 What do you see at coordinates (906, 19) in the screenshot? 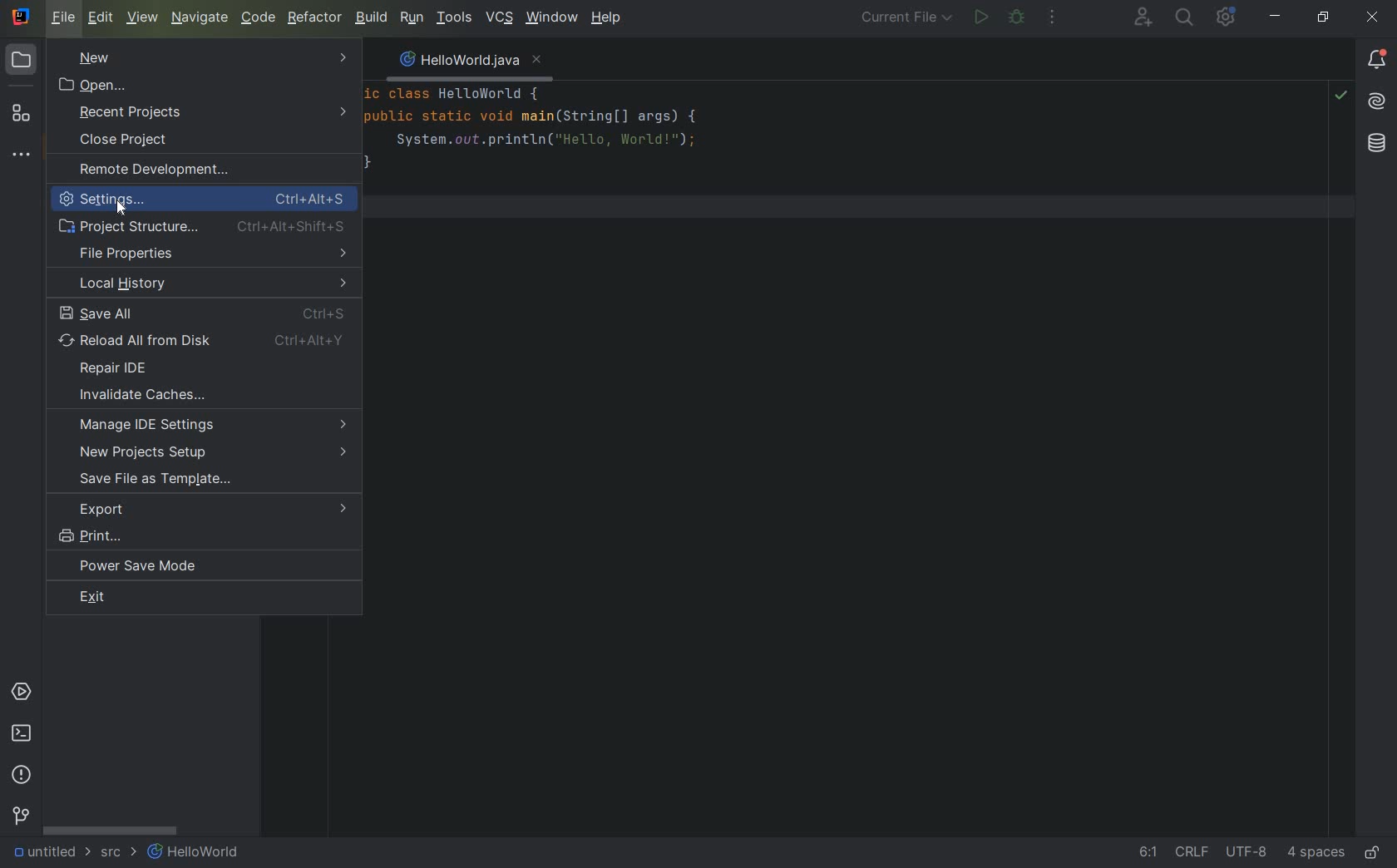
I see `CURRENT FILE` at bounding box center [906, 19].